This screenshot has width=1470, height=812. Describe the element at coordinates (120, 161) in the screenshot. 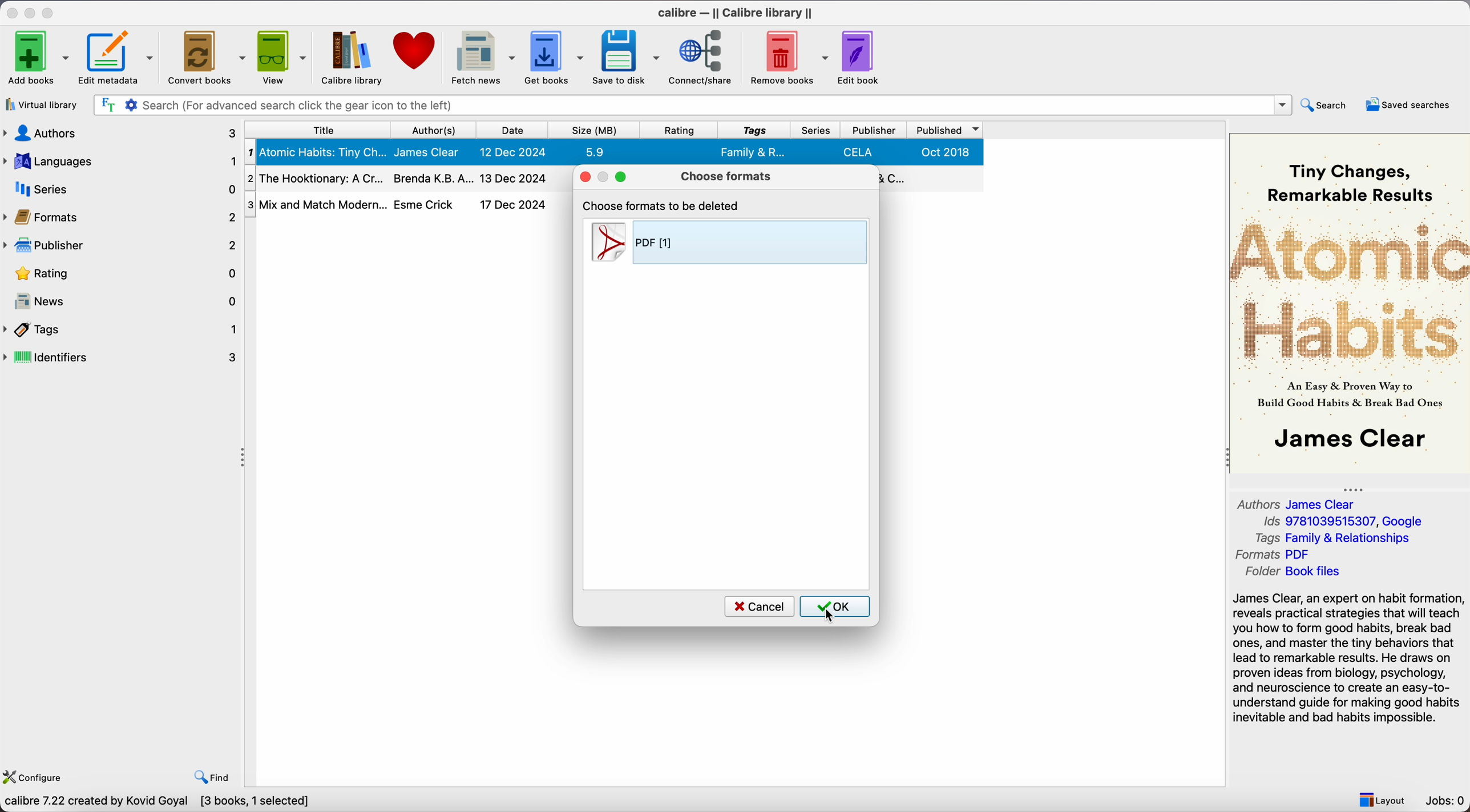

I see `languages` at that location.